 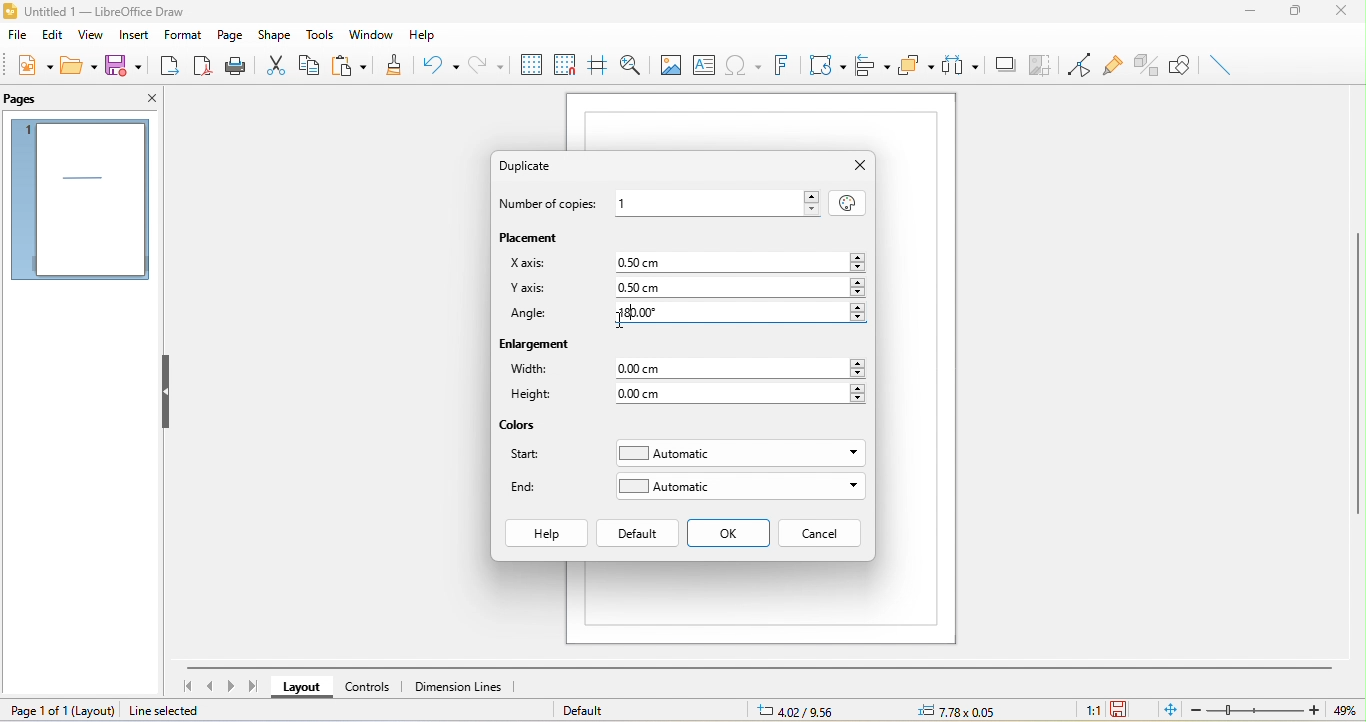 What do you see at coordinates (669, 63) in the screenshot?
I see `image` at bounding box center [669, 63].